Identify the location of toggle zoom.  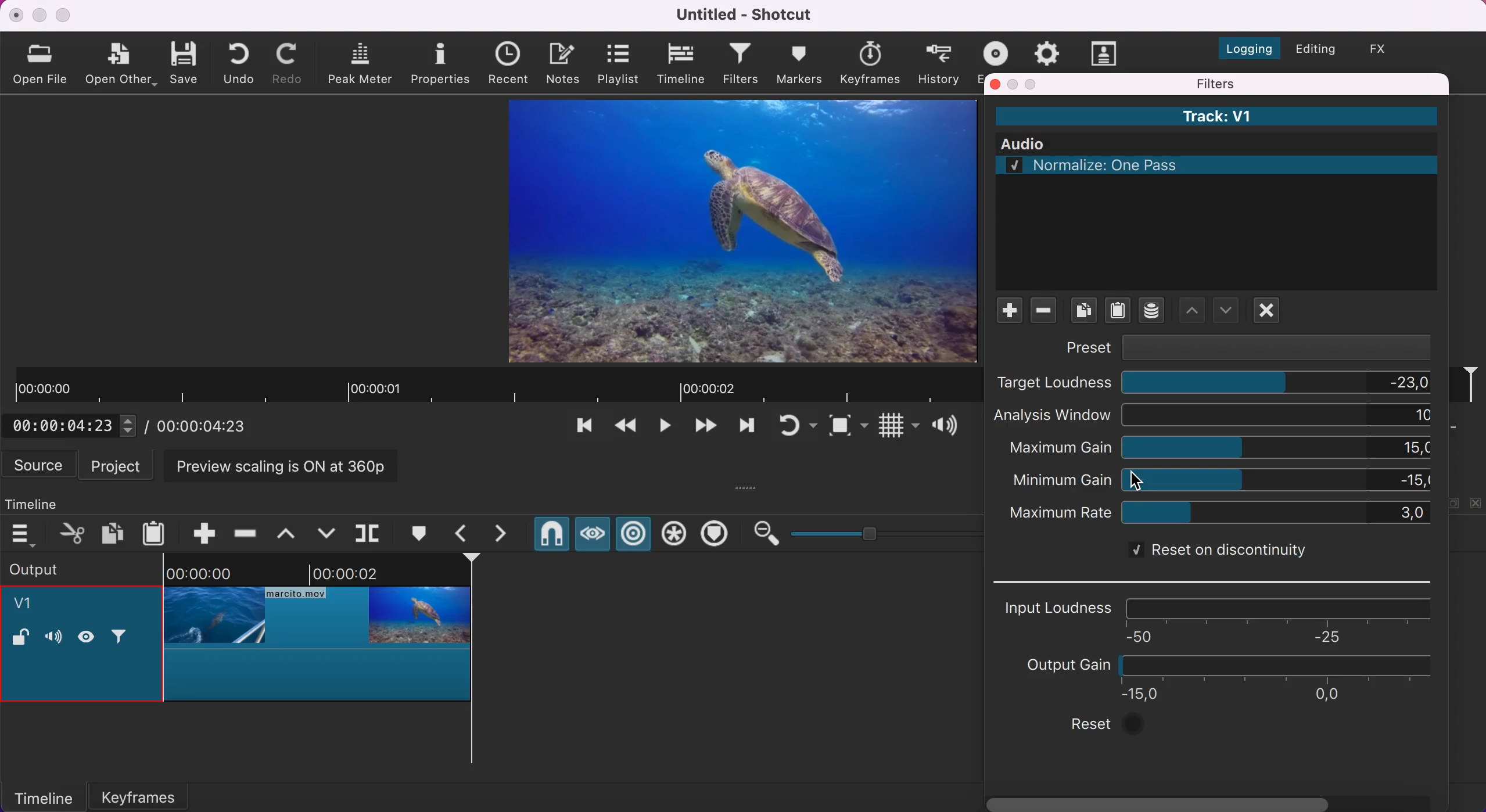
(848, 428).